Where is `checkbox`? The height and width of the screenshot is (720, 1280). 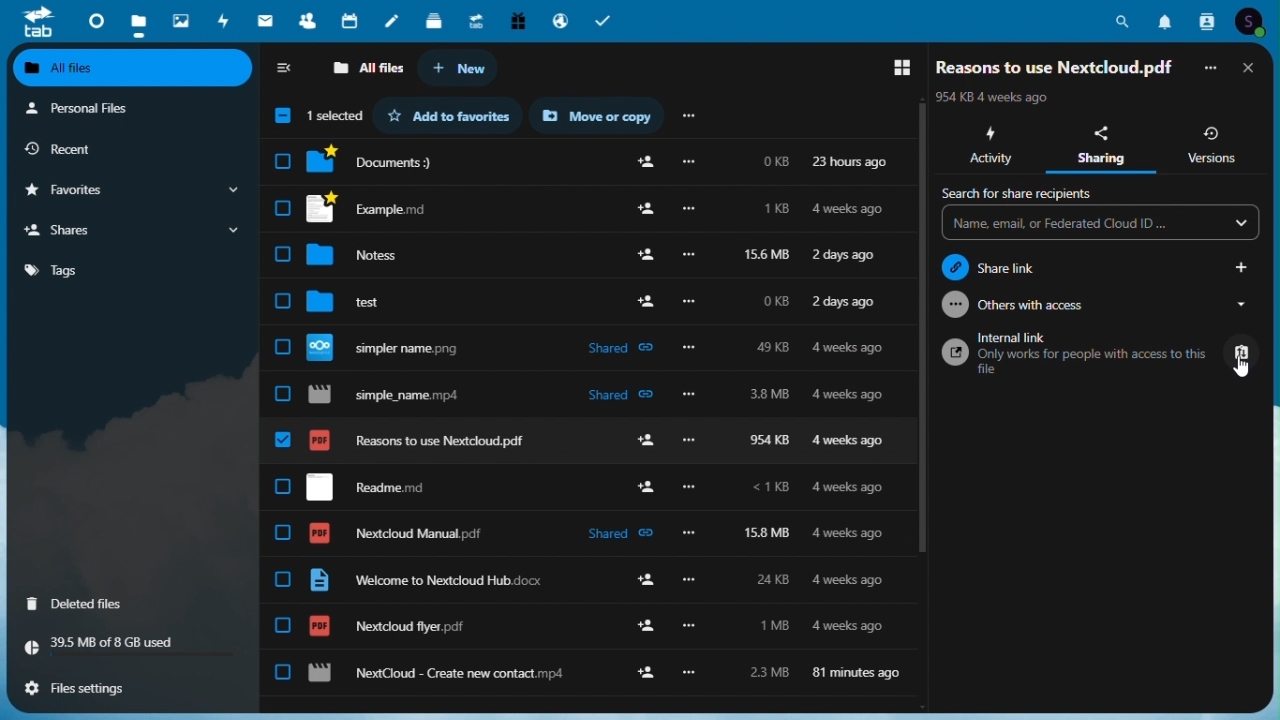 checkbox is located at coordinates (284, 535).